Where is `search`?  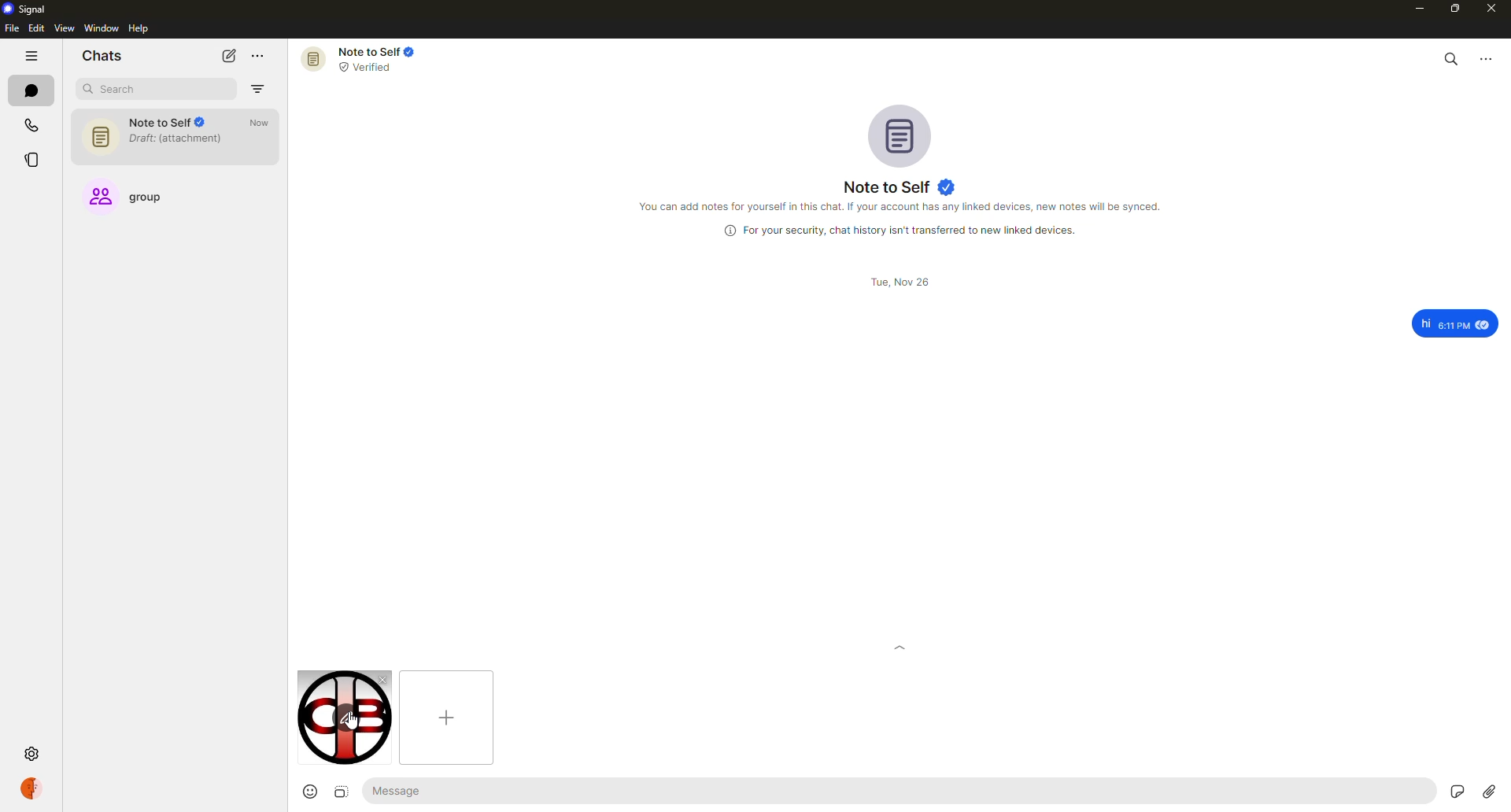 search is located at coordinates (1450, 56).